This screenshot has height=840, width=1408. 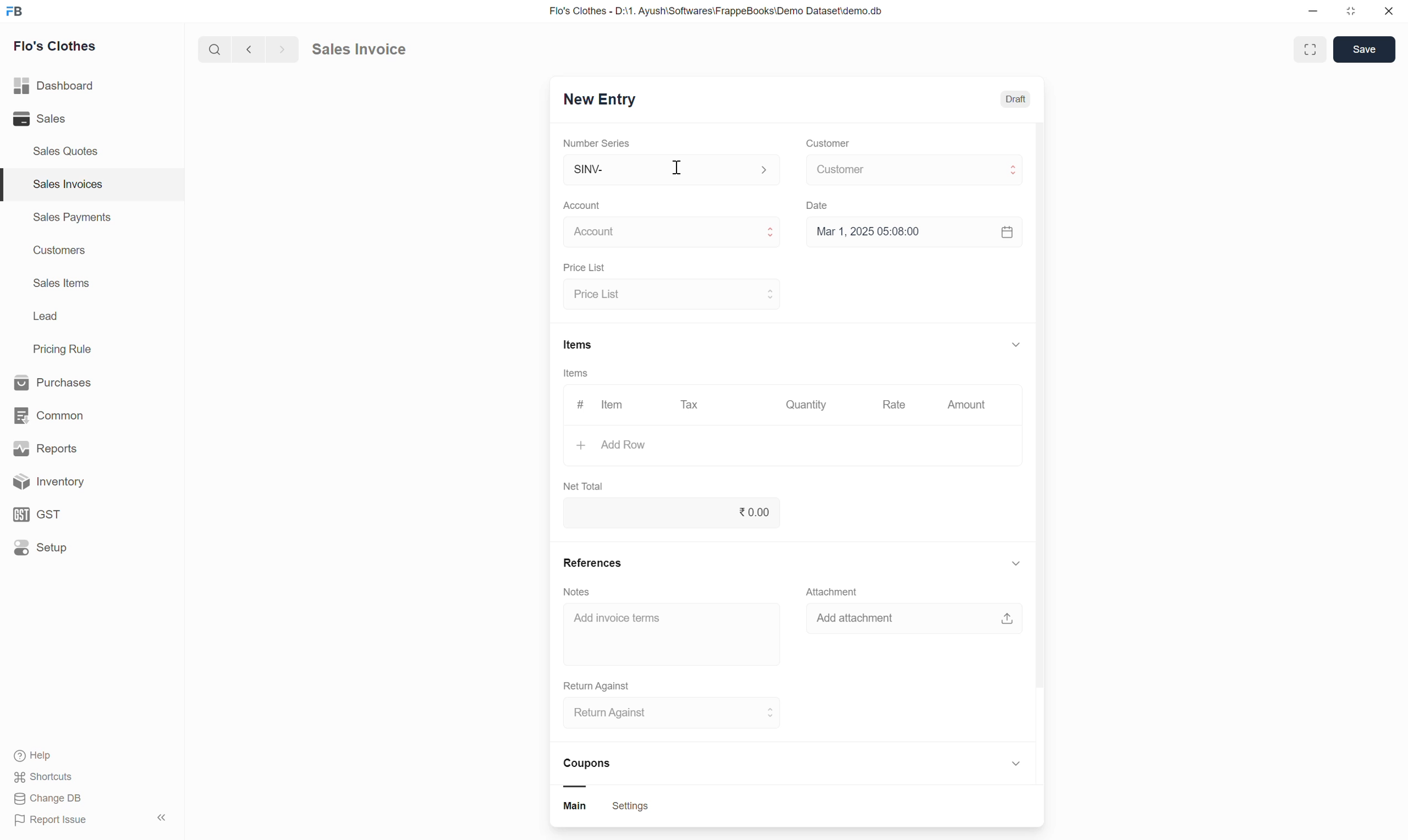 What do you see at coordinates (598, 684) in the screenshot?
I see `Return Against` at bounding box center [598, 684].